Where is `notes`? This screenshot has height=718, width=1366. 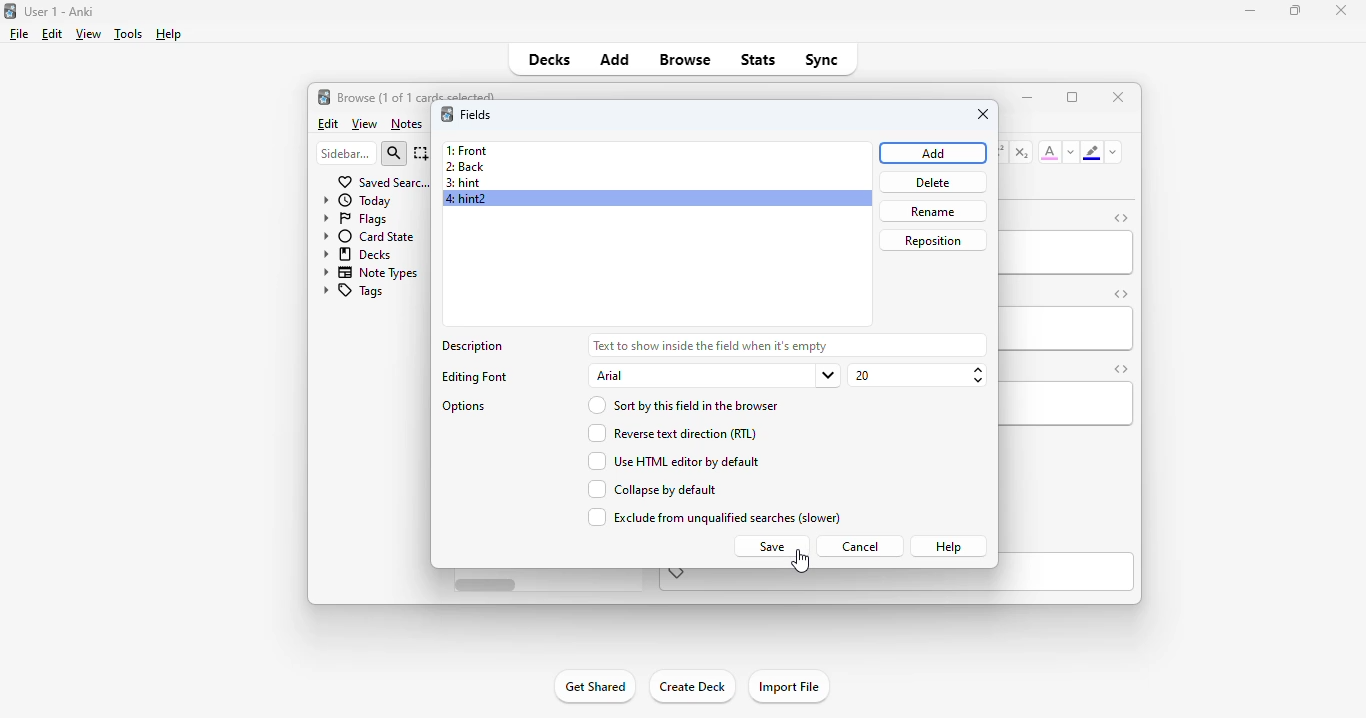
notes is located at coordinates (406, 124).